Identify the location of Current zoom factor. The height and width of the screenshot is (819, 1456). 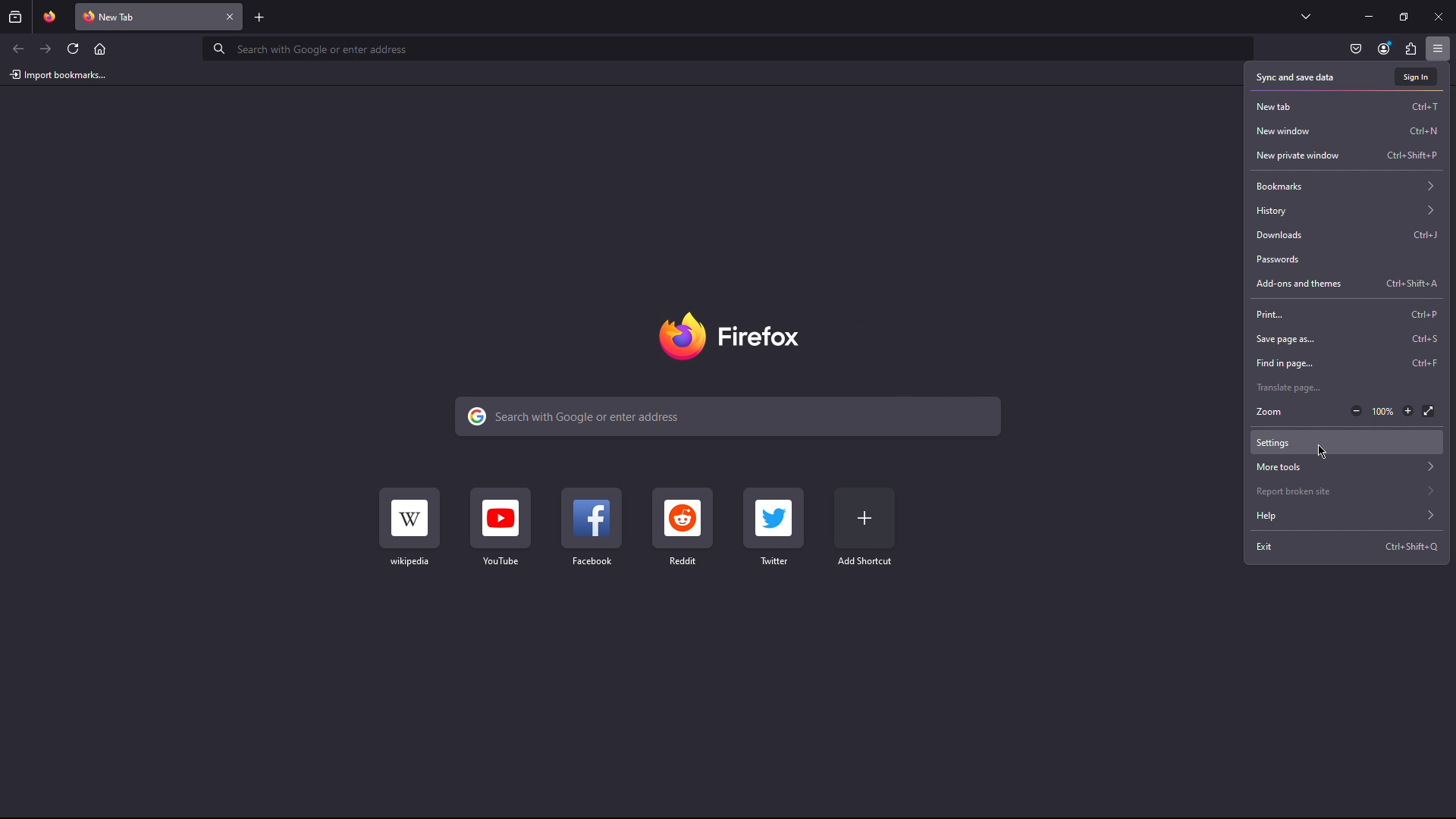
(1383, 411).